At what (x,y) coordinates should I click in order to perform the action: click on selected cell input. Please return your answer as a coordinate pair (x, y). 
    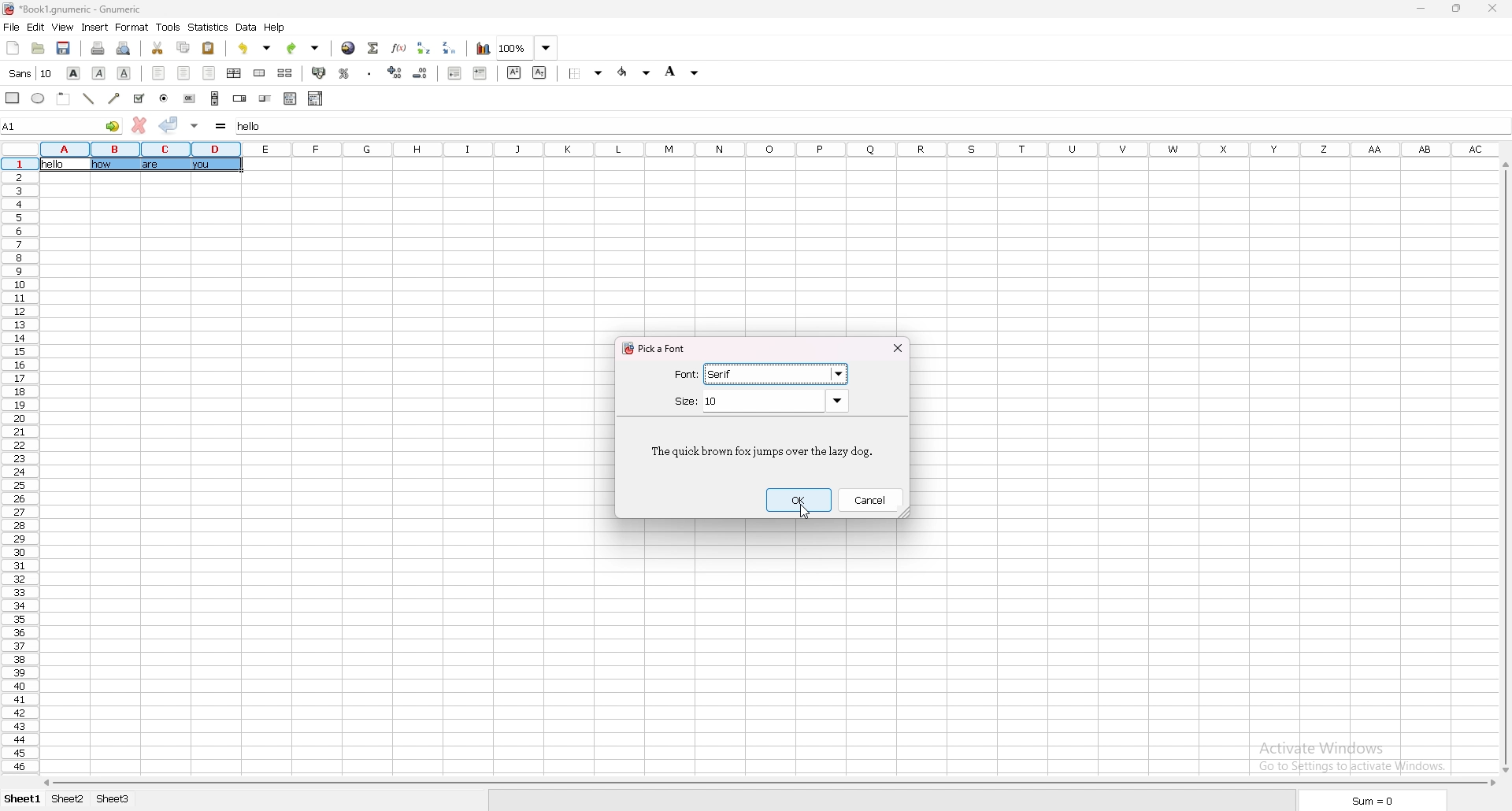
    Looking at the image, I should click on (256, 126).